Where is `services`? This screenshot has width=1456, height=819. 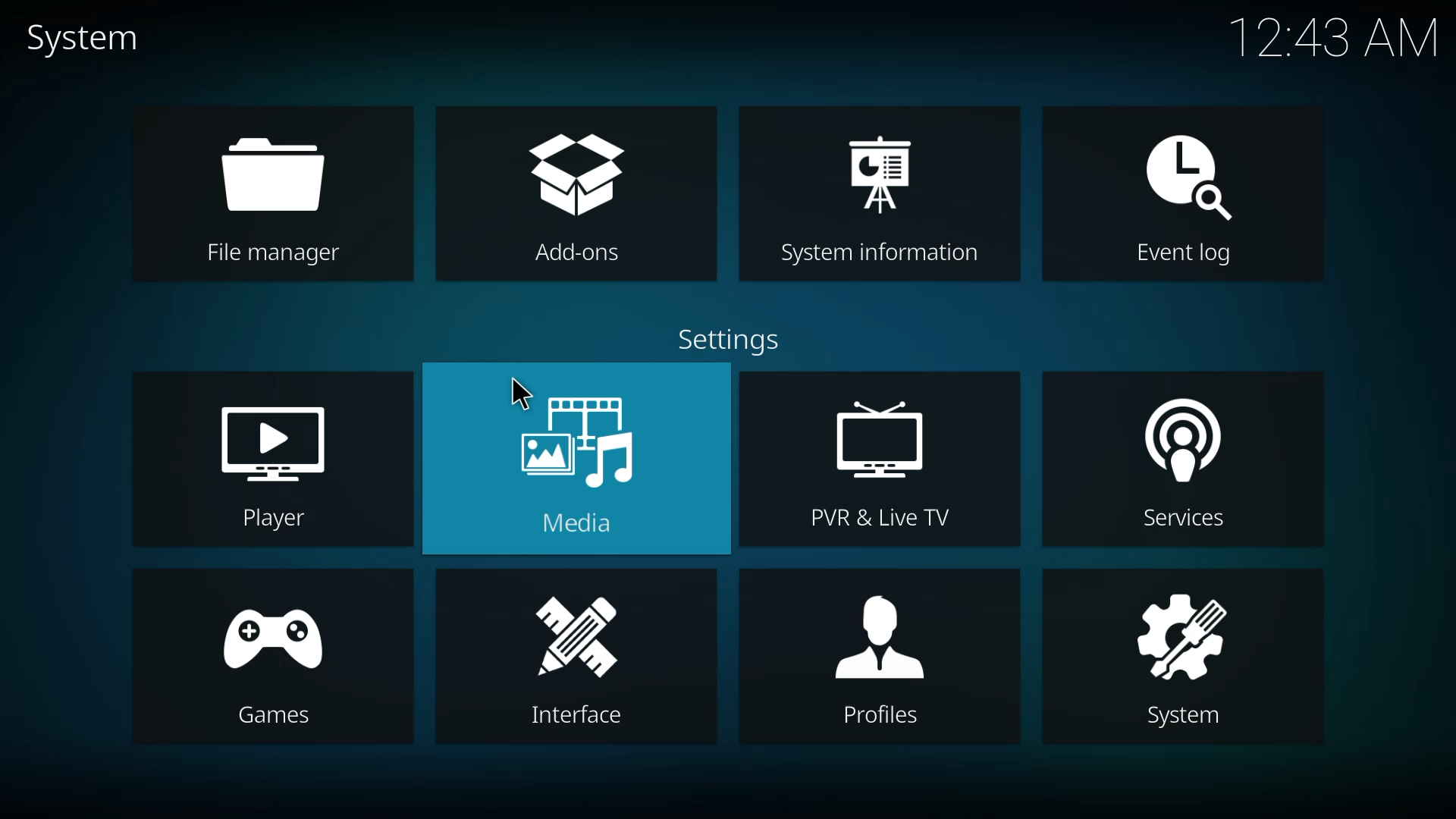
services is located at coordinates (1179, 464).